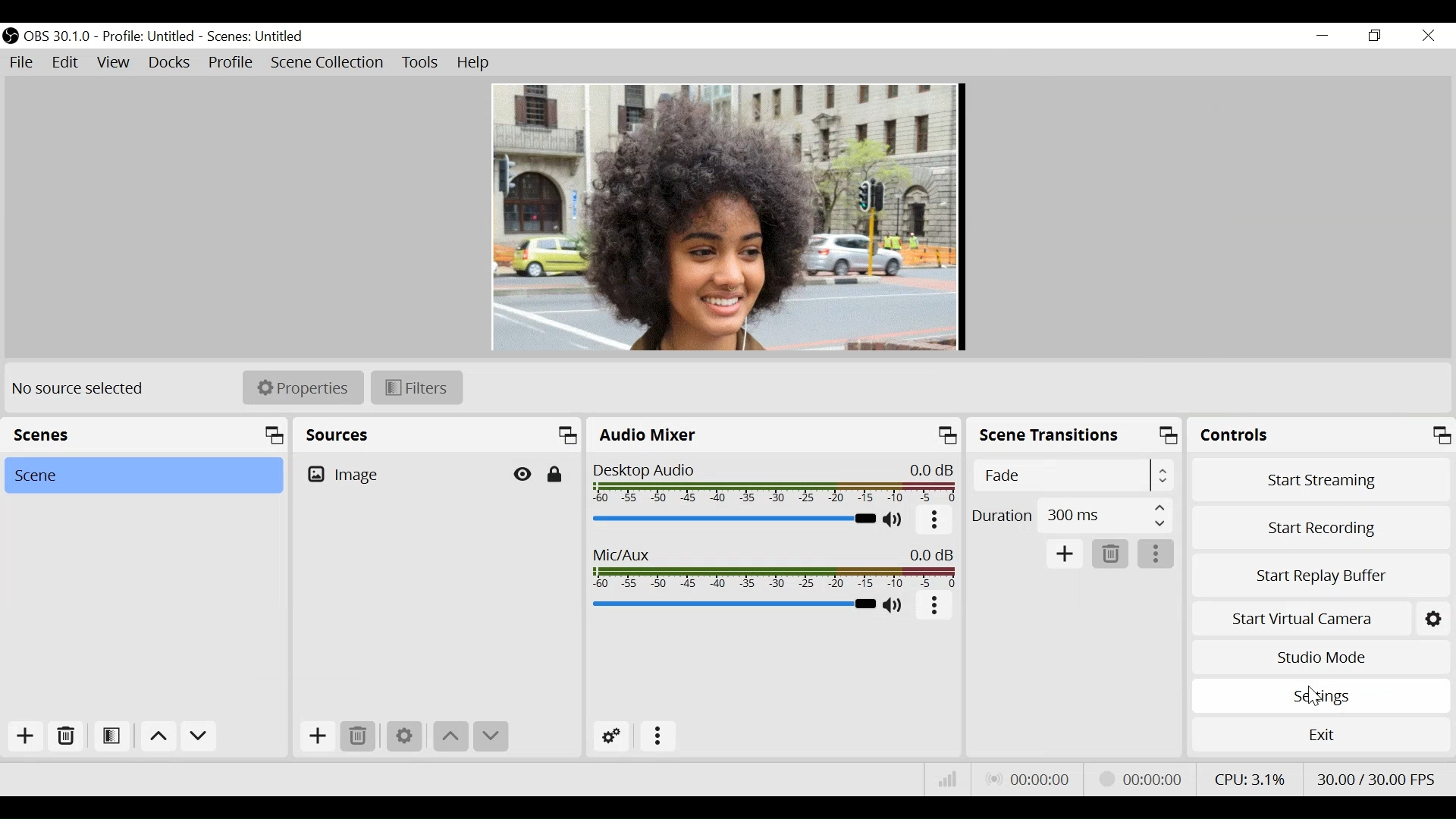 This screenshot has height=819, width=1456. Describe the element at coordinates (112, 736) in the screenshot. I see `Open Filter Scene` at that location.